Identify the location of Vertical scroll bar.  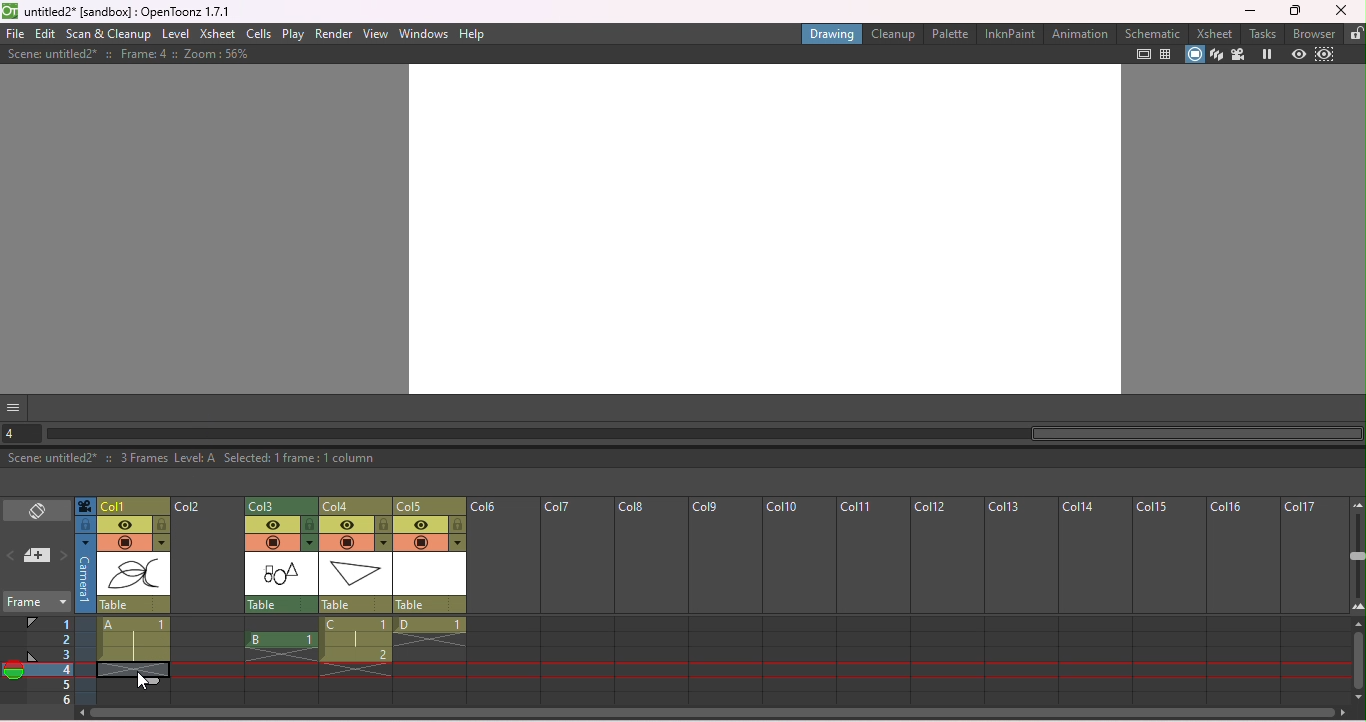
(1358, 662).